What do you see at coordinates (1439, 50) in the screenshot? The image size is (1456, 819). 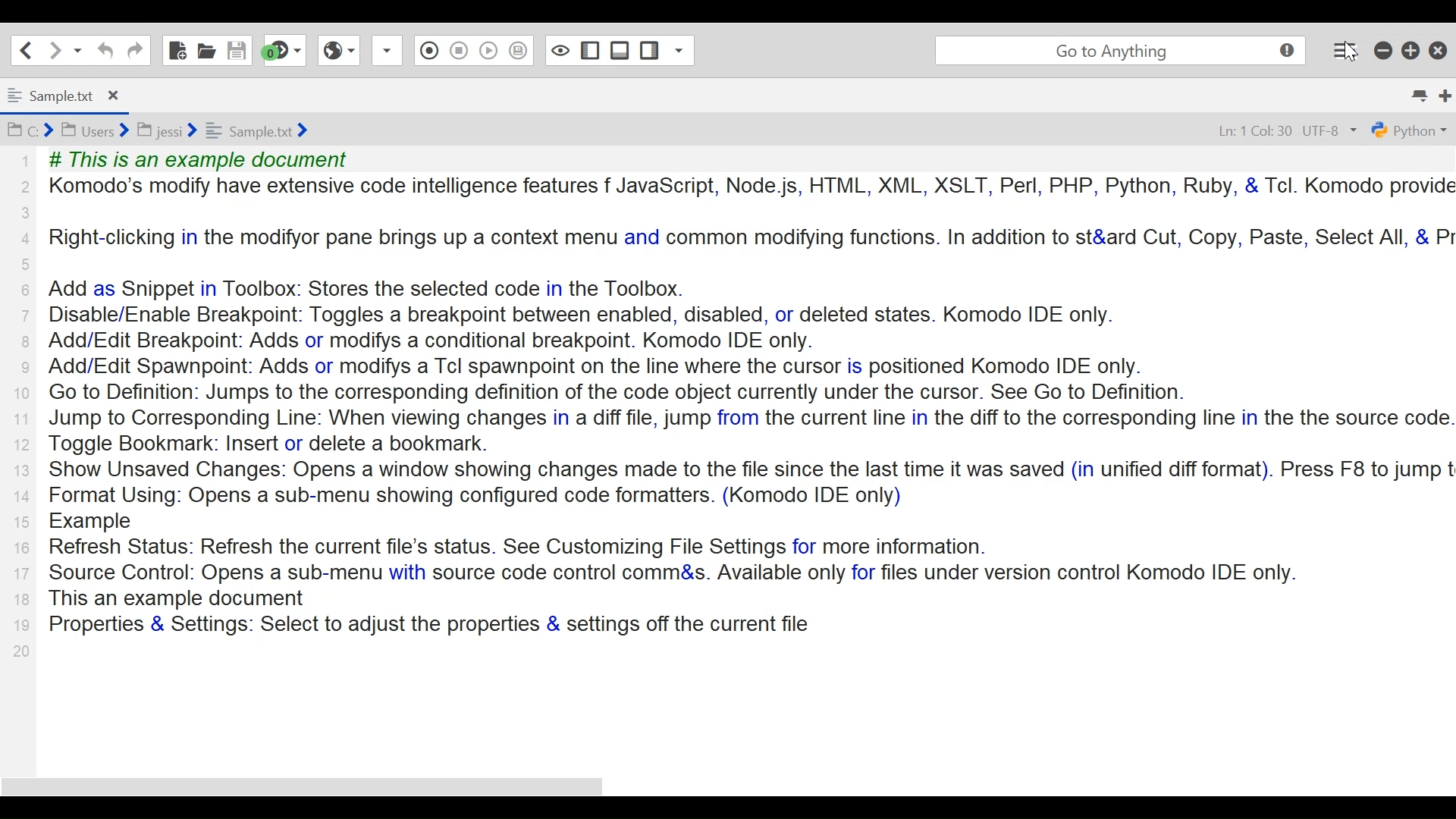 I see `Close` at bounding box center [1439, 50].